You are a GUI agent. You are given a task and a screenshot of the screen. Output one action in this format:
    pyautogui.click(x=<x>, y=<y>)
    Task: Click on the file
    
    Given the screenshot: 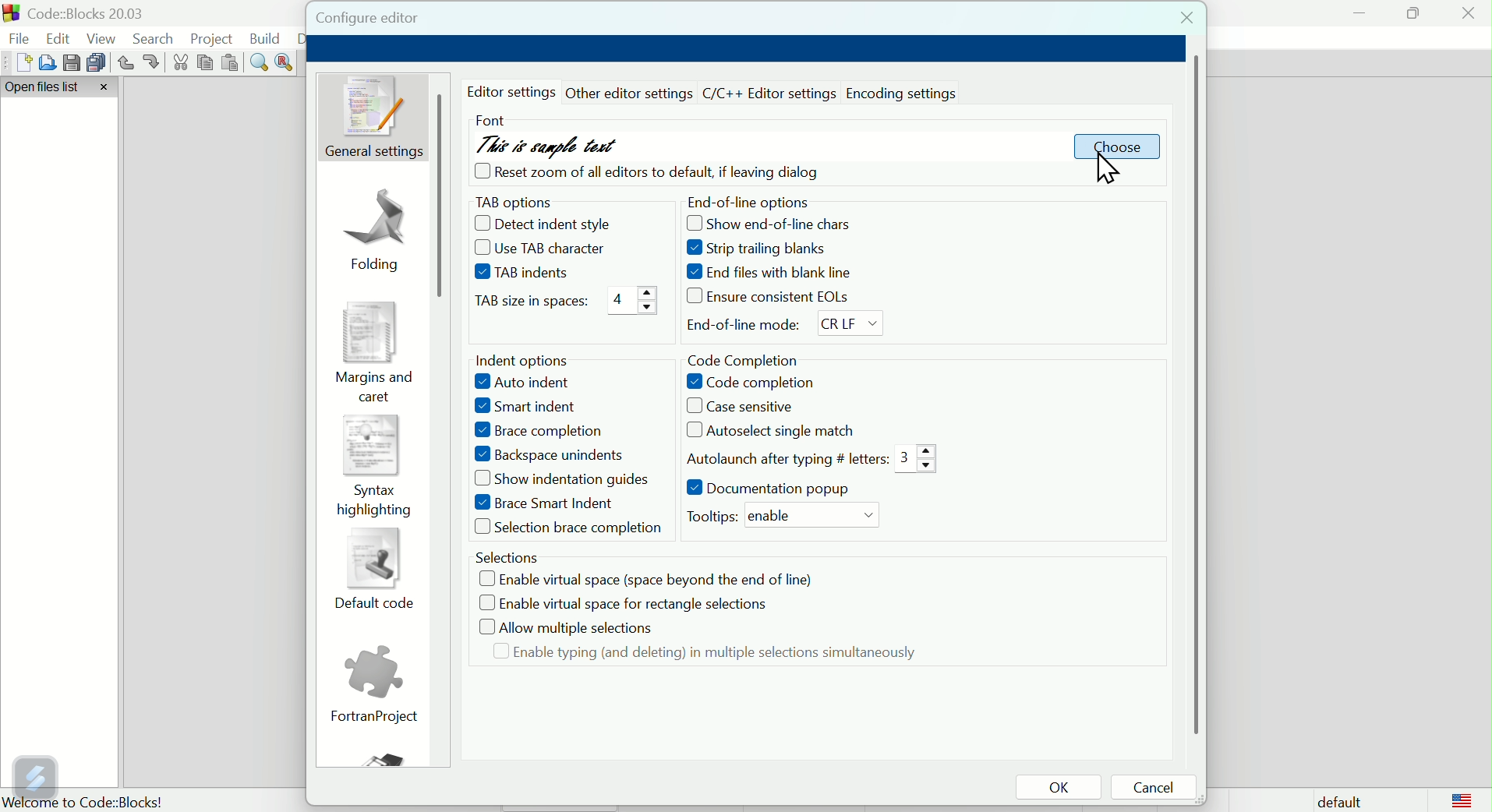 What is the action you would take?
    pyautogui.click(x=20, y=40)
    